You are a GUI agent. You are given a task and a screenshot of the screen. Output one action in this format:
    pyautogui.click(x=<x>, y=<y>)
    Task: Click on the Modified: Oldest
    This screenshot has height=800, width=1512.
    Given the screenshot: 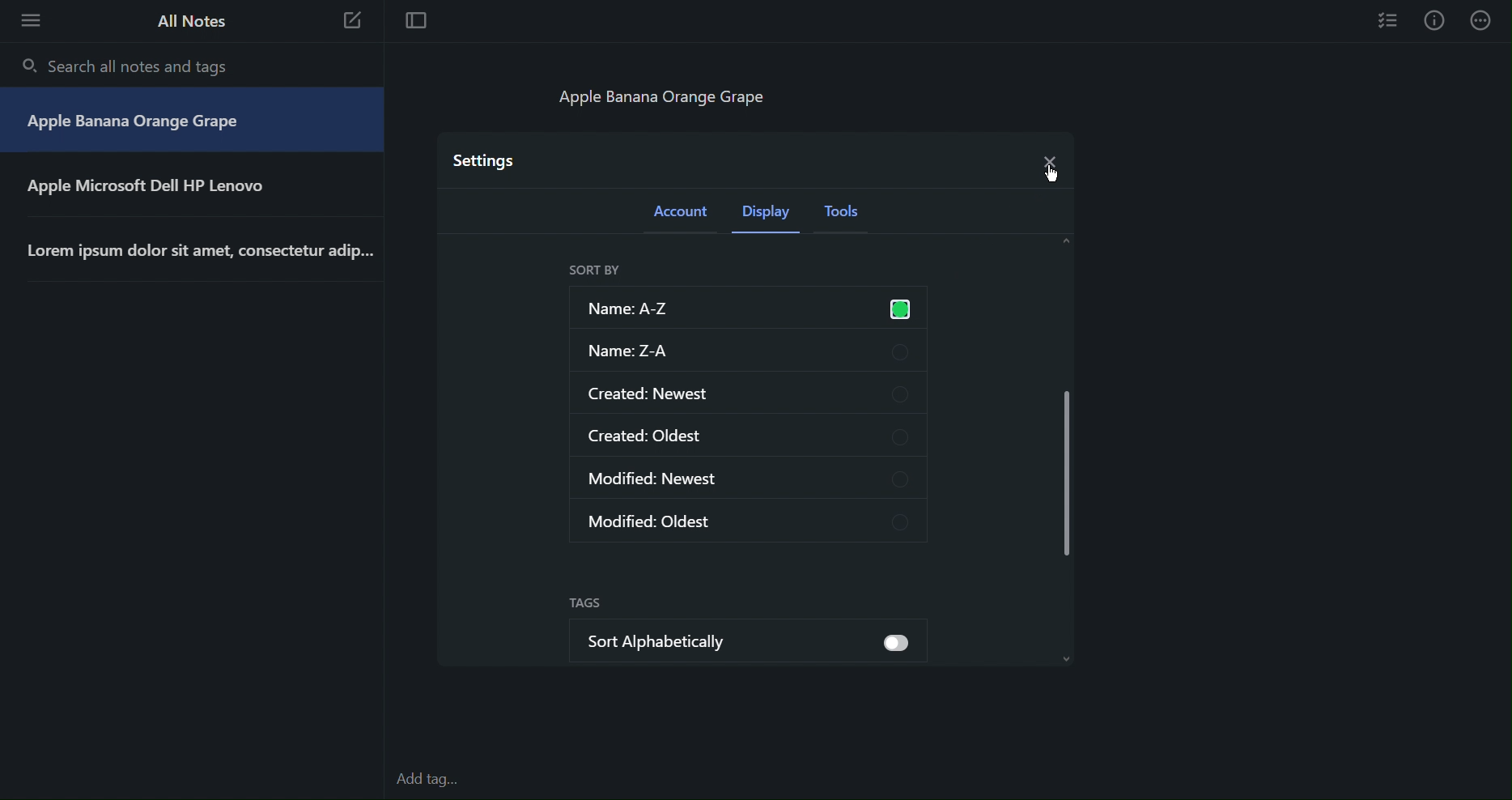 What is the action you would take?
    pyautogui.click(x=751, y=519)
    